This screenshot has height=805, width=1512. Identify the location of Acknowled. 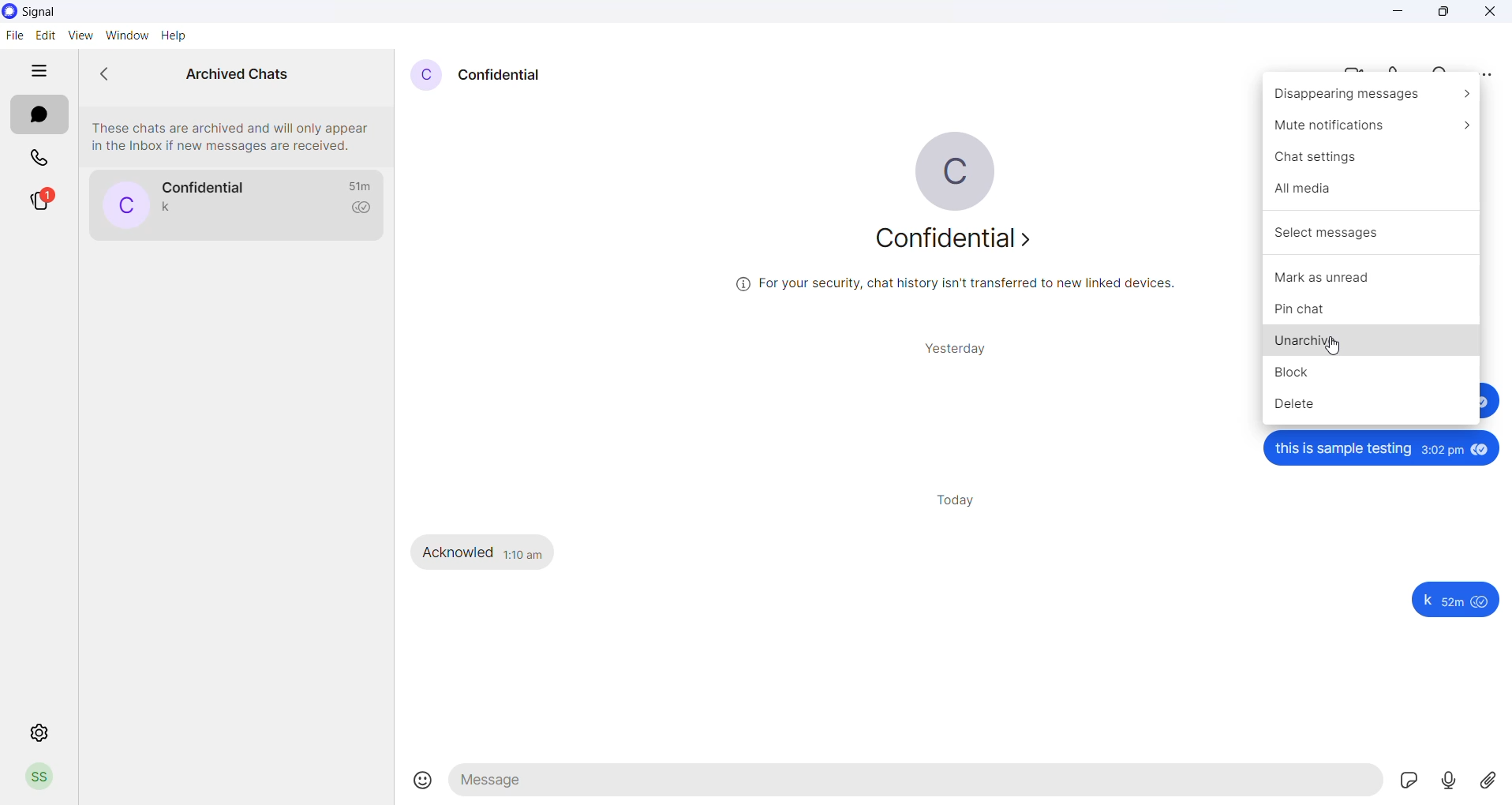
(458, 552).